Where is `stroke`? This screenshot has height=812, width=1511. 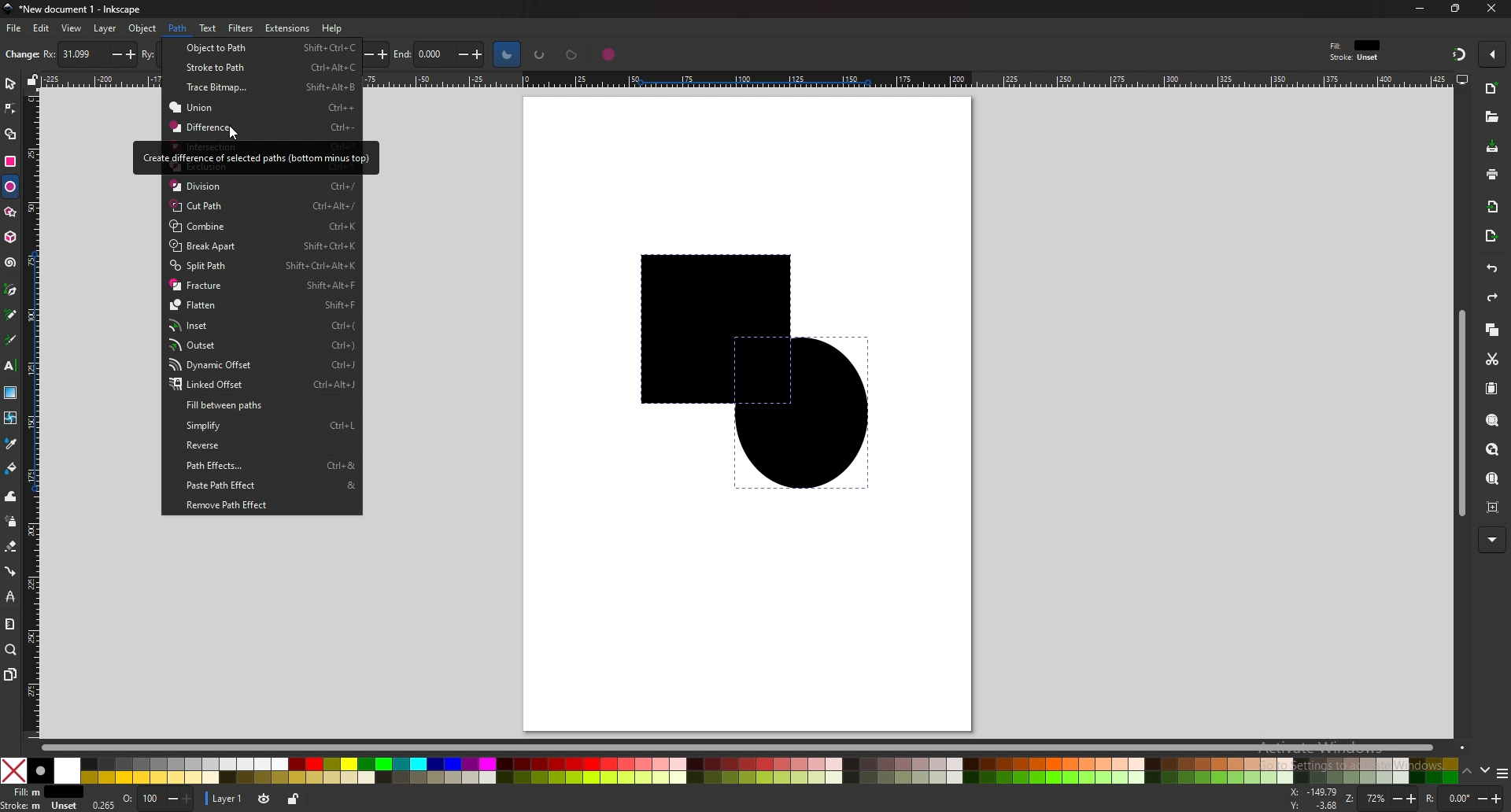 stroke is located at coordinates (42, 806).